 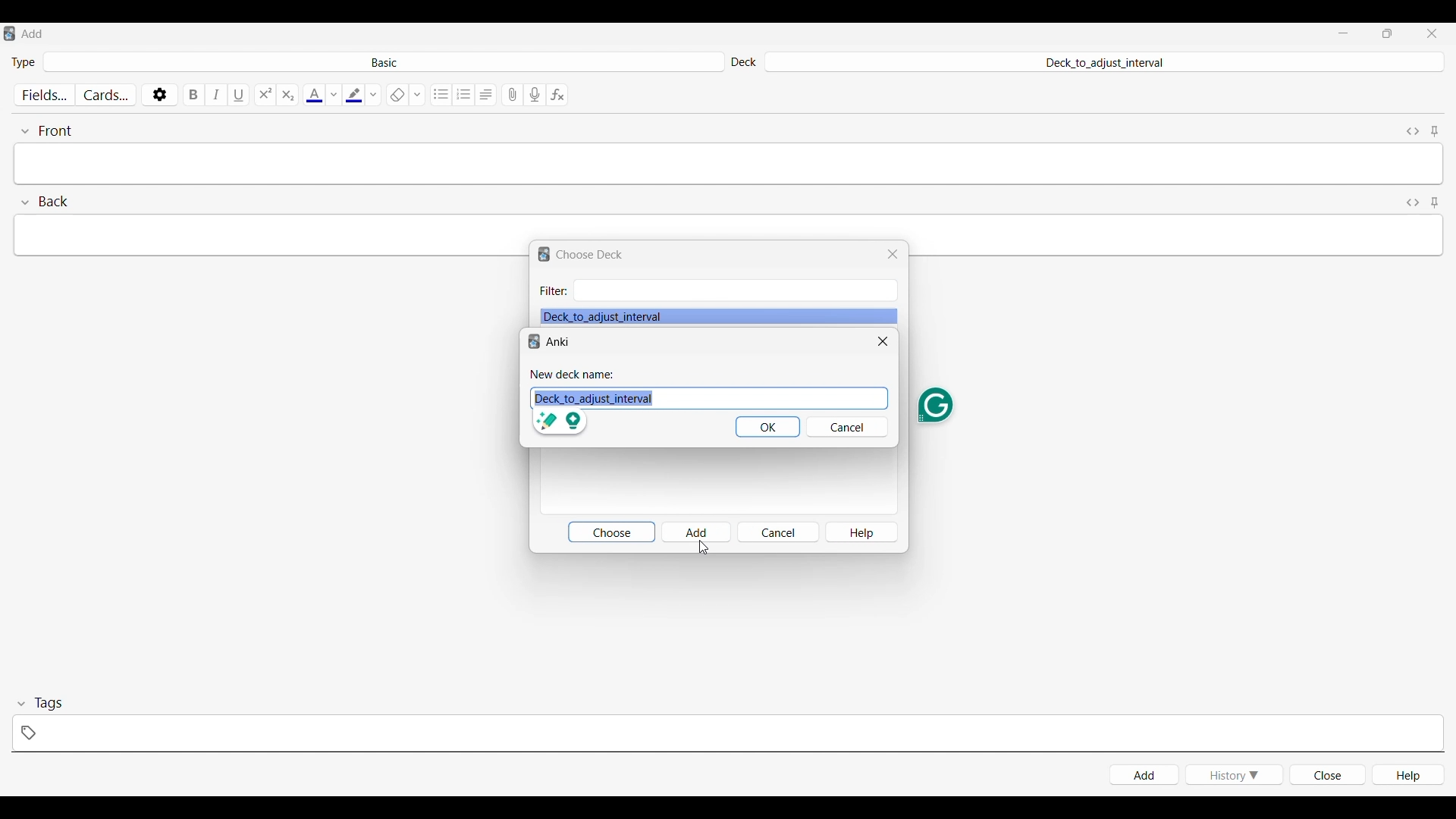 I want to click on Highlight color options, so click(x=374, y=94).